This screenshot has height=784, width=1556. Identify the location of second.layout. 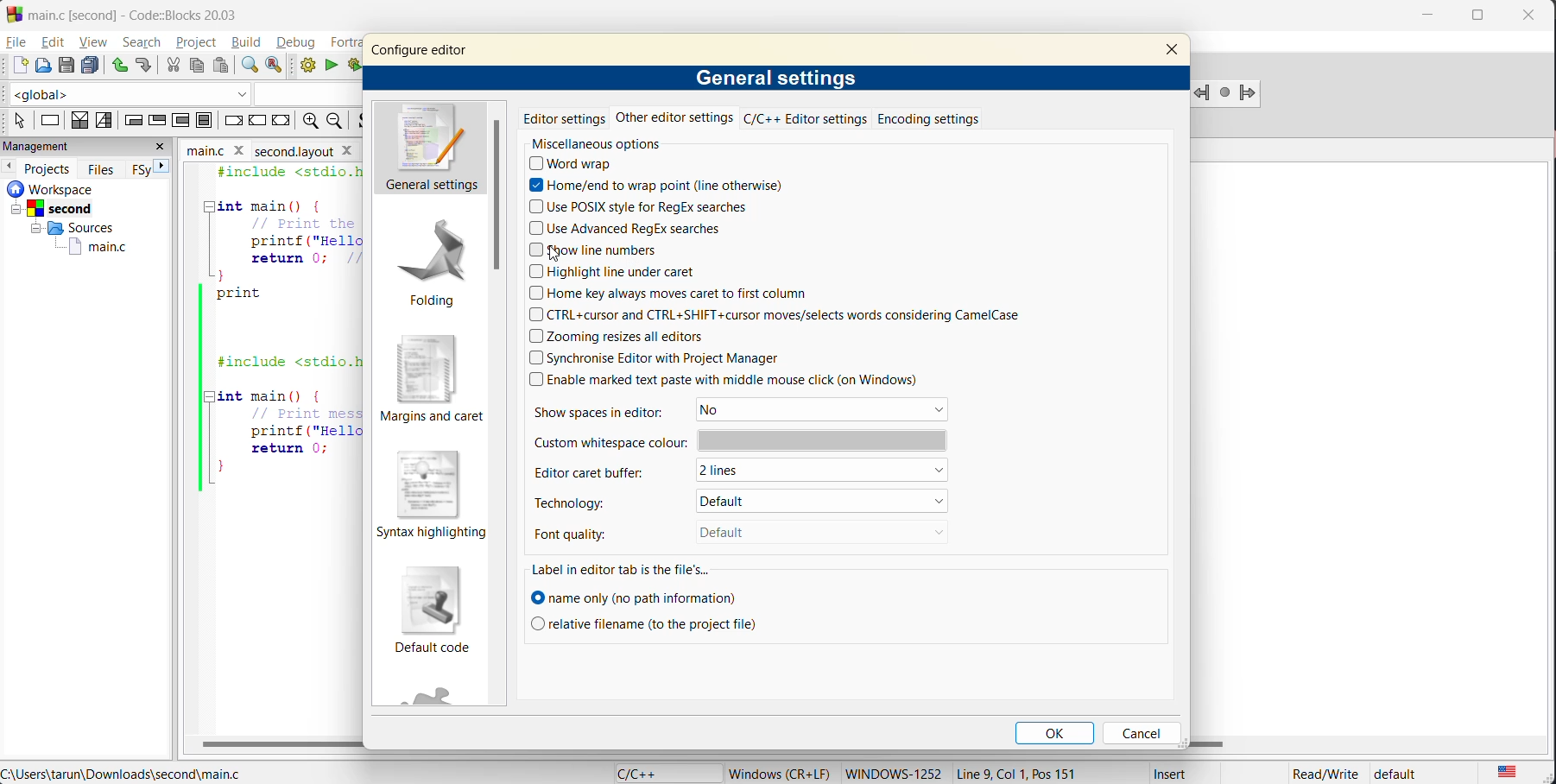
(292, 151).